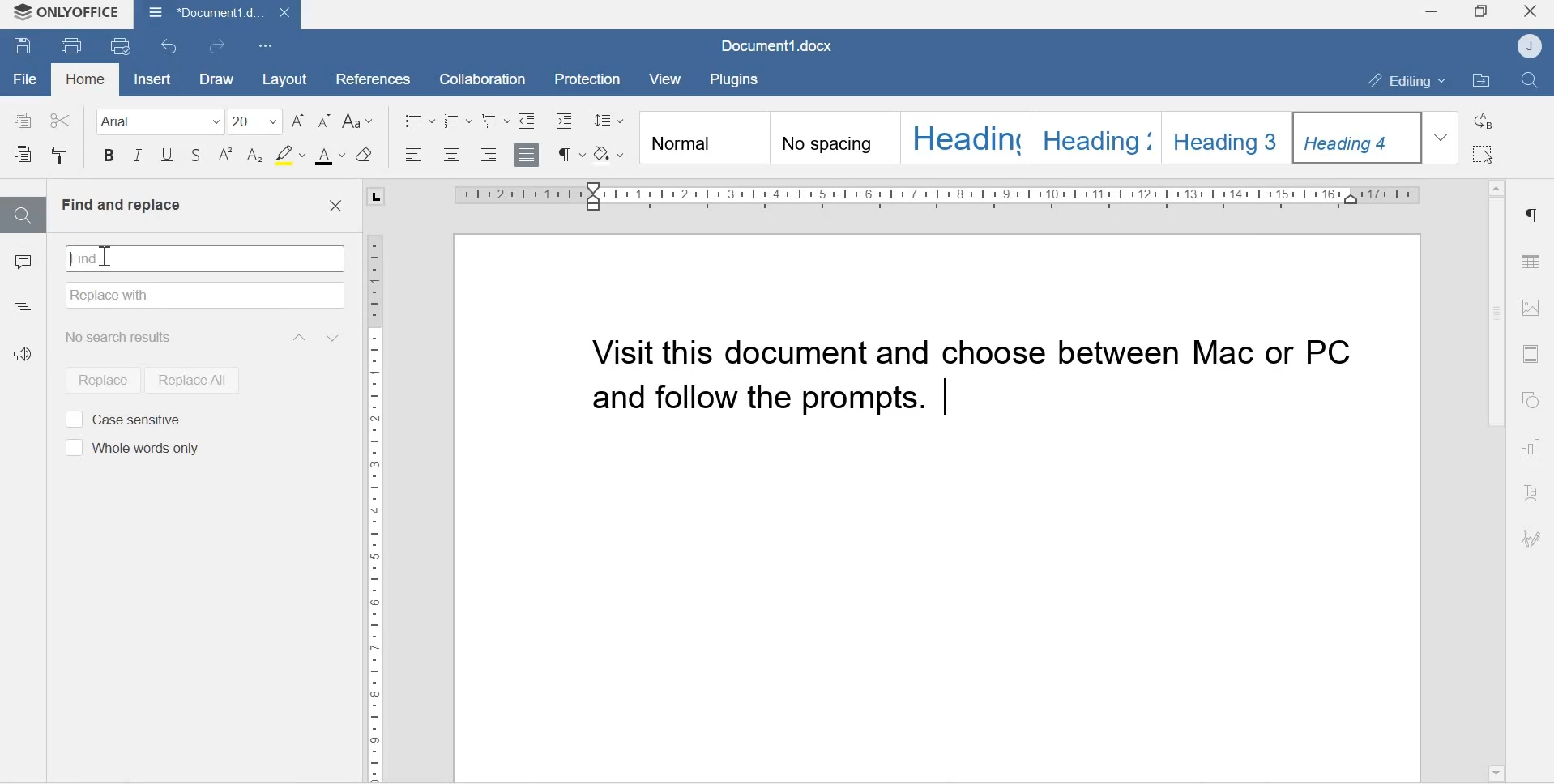 The image size is (1554, 784). I want to click on References, so click(367, 77).